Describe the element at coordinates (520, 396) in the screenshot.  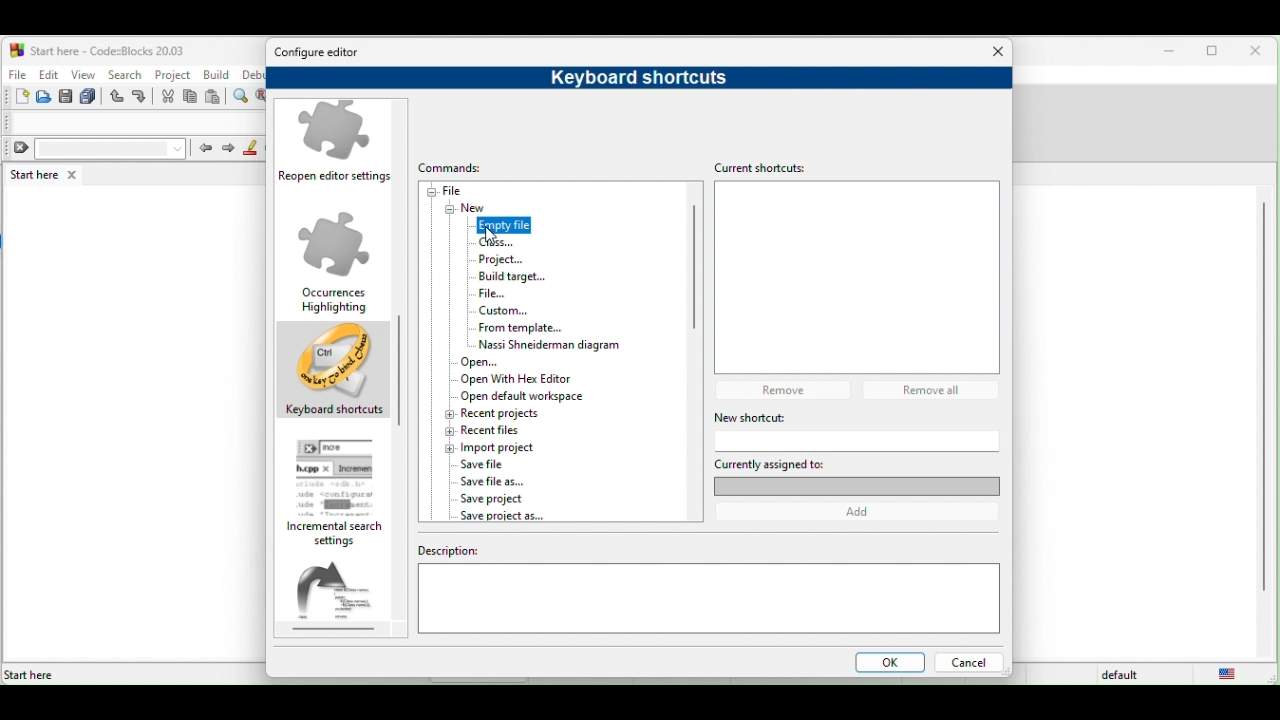
I see `open default workspace` at that location.